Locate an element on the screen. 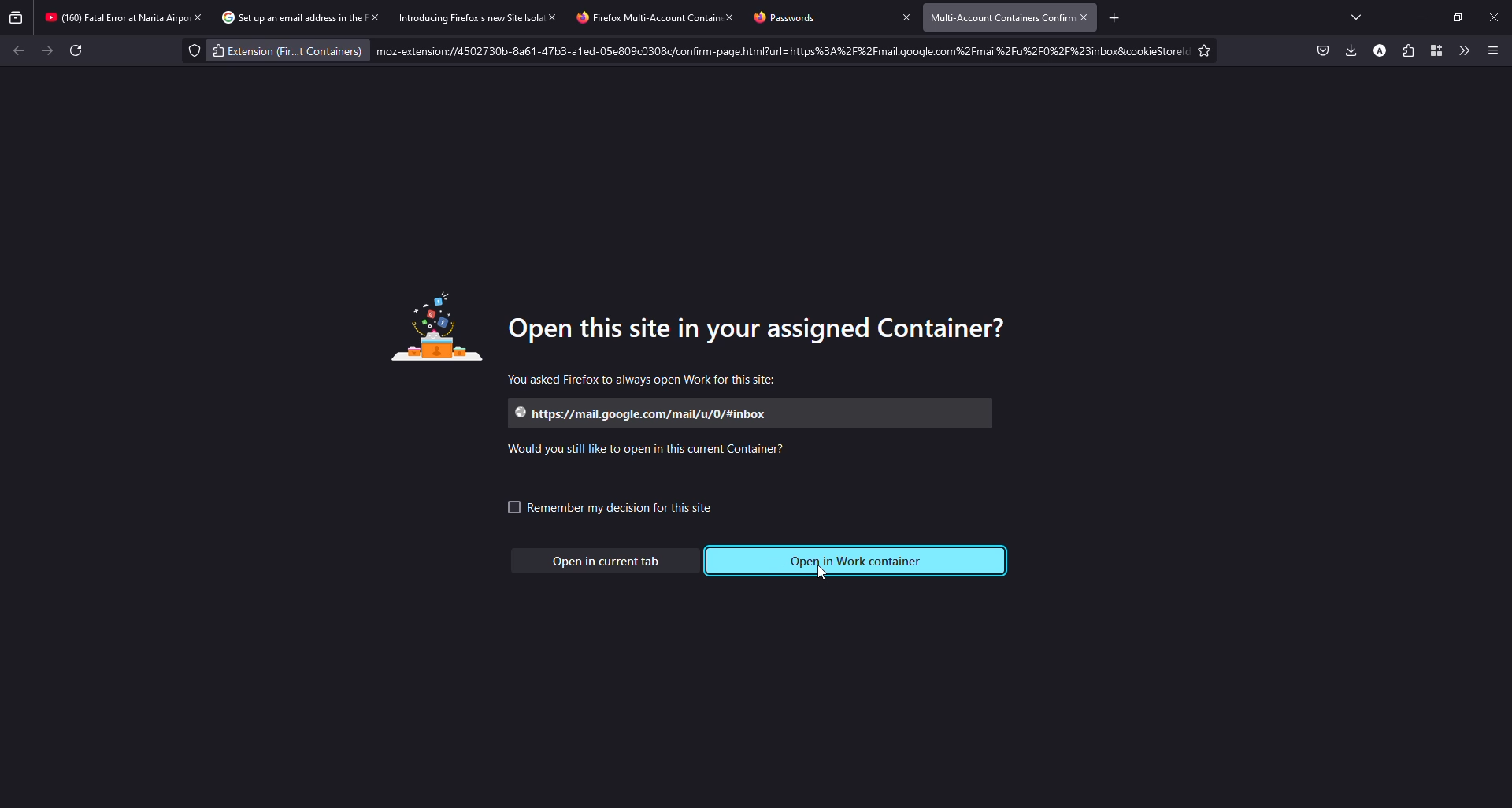  https://mail. google.com/mail/u/0/#inbox is located at coordinates (643, 414).